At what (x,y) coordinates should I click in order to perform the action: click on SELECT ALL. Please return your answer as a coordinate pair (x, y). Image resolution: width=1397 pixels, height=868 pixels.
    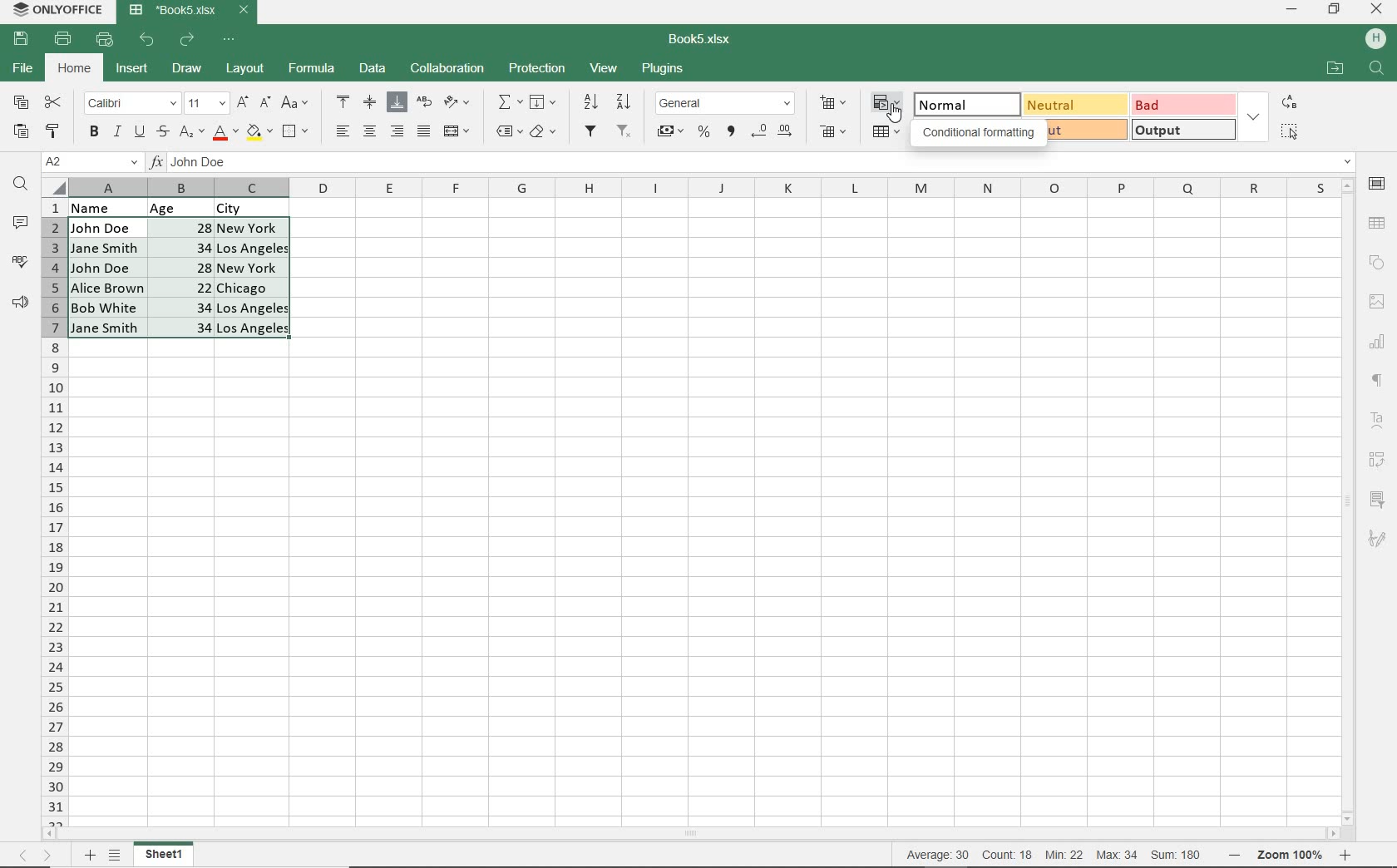
    Looking at the image, I should click on (1289, 131).